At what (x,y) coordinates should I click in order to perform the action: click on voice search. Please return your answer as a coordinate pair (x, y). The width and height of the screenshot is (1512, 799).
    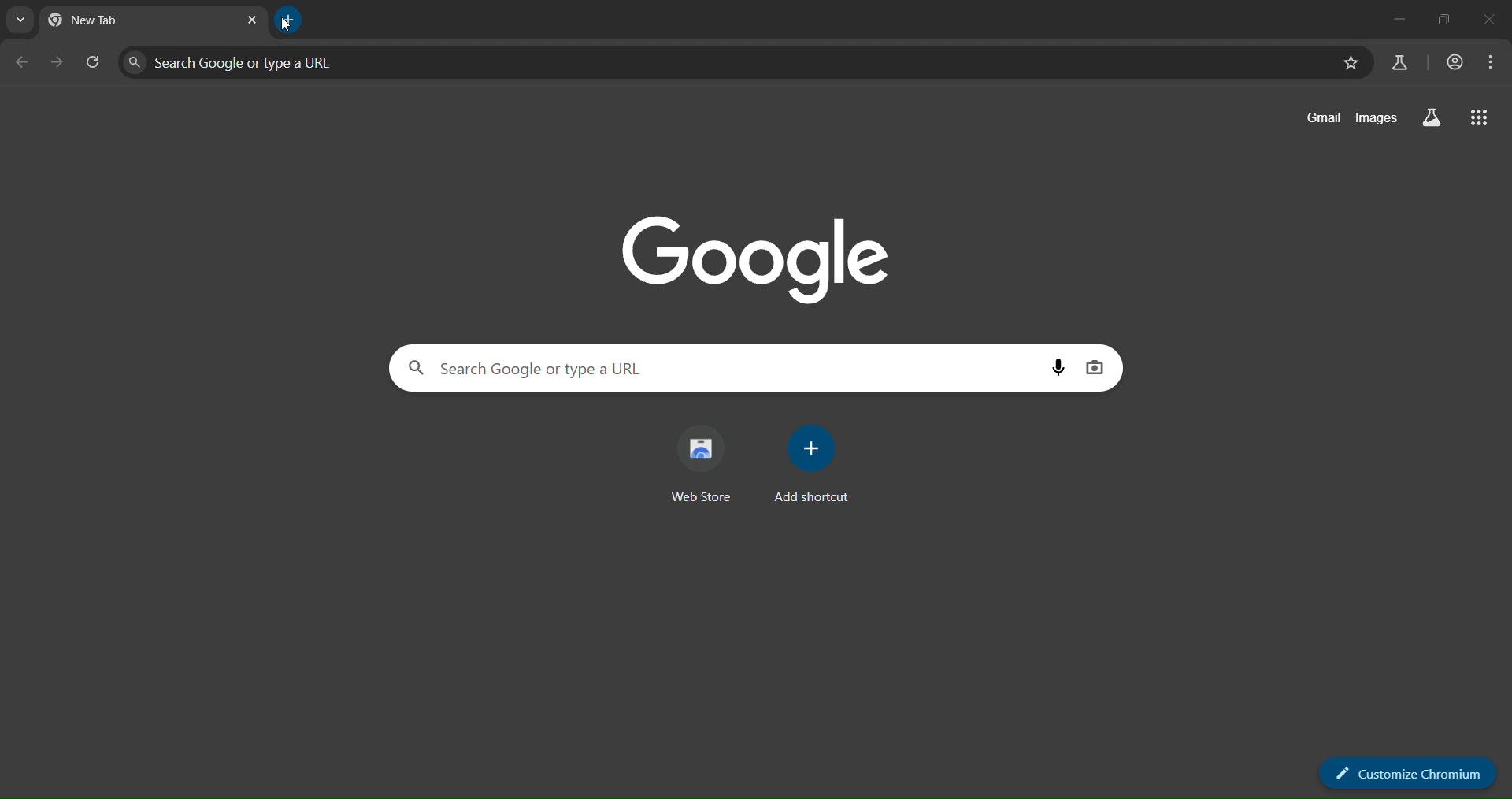
    Looking at the image, I should click on (1057, 367).